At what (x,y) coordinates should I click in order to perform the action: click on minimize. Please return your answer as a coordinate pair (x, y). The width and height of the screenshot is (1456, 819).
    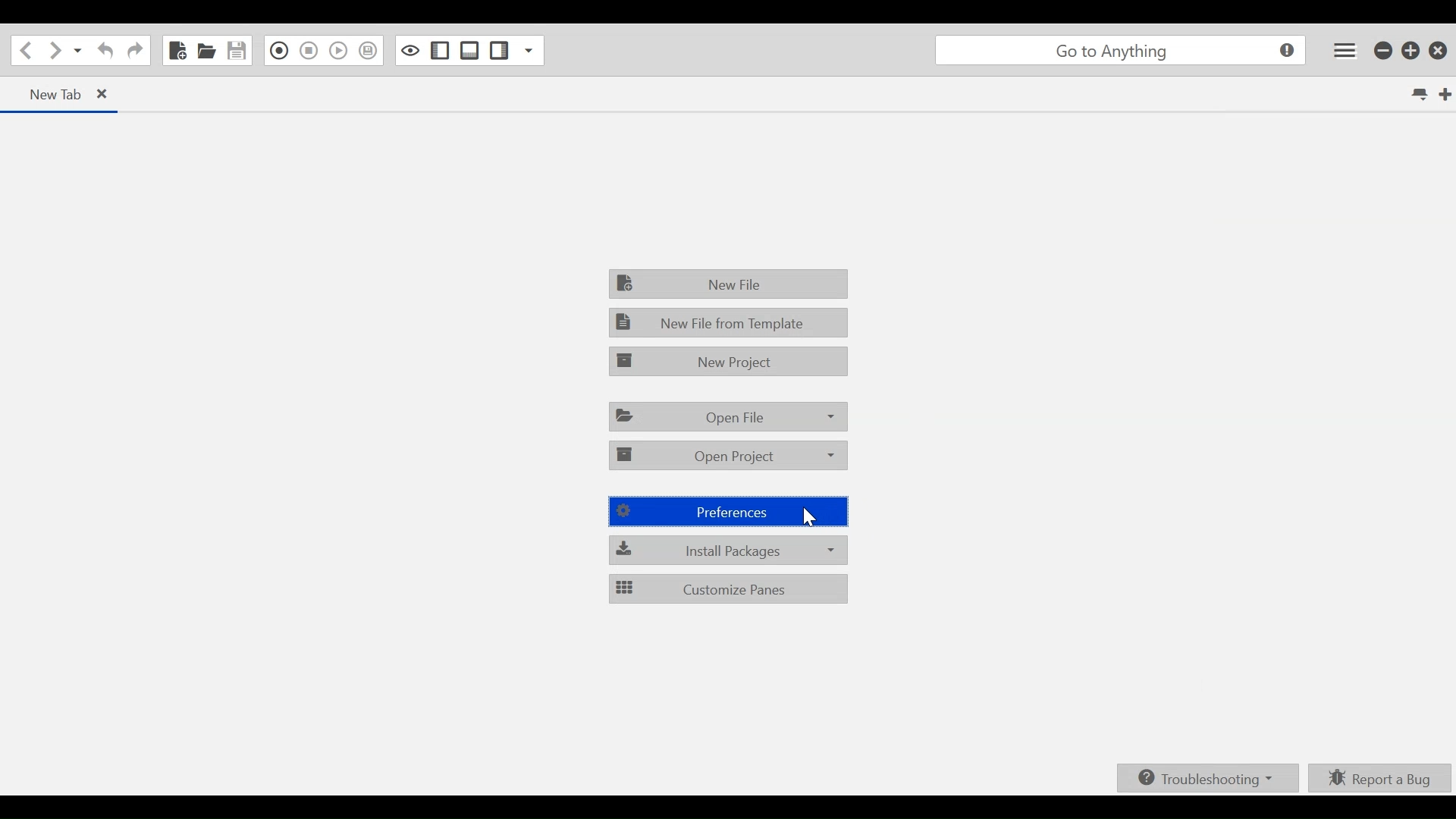
    Looking at the image, I should click on (1384, 52).